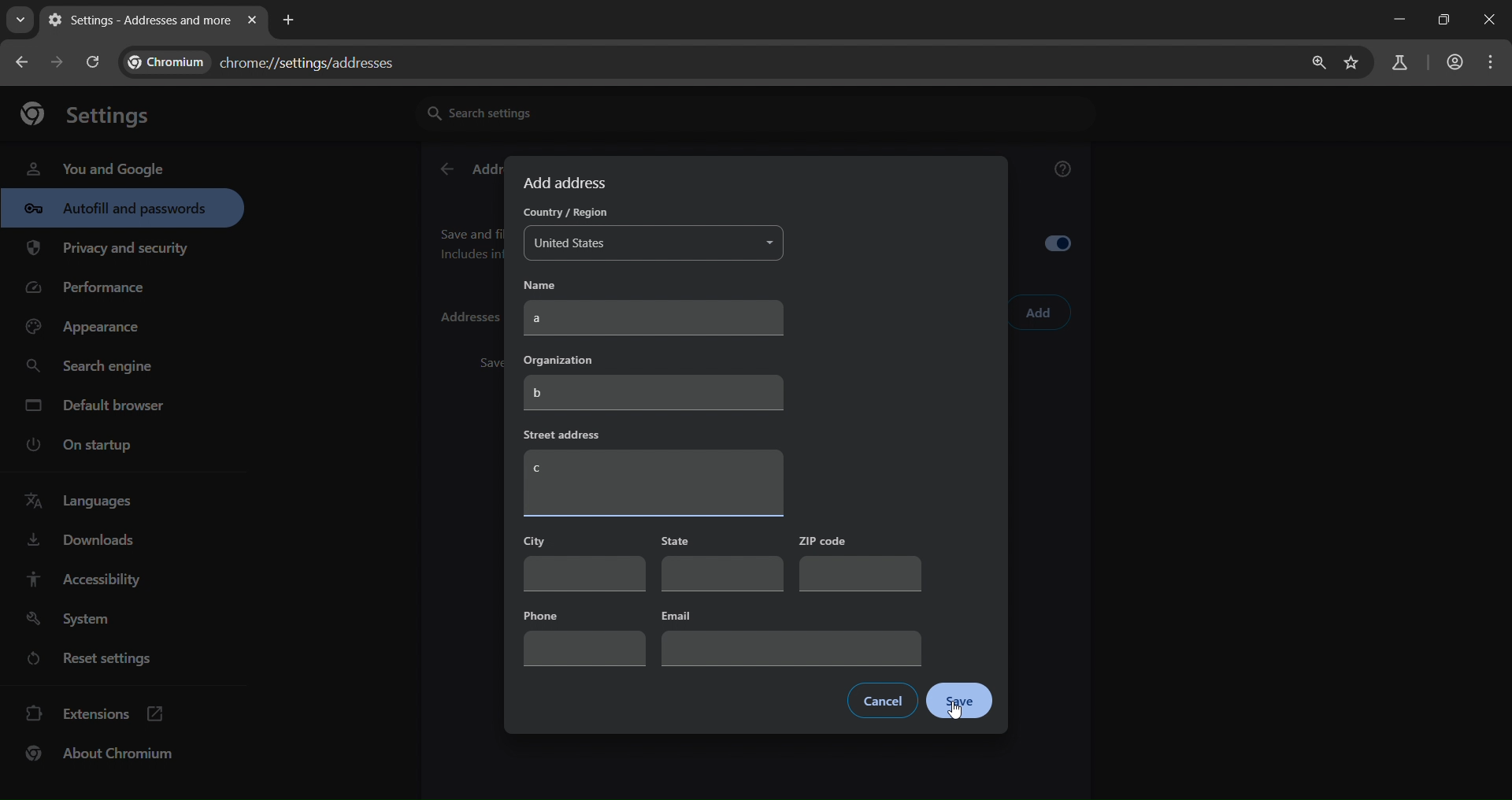 The image size is (1512, 800). Describe the element at coordinates (959, 702) in the screenshot. I see `save` at that location.